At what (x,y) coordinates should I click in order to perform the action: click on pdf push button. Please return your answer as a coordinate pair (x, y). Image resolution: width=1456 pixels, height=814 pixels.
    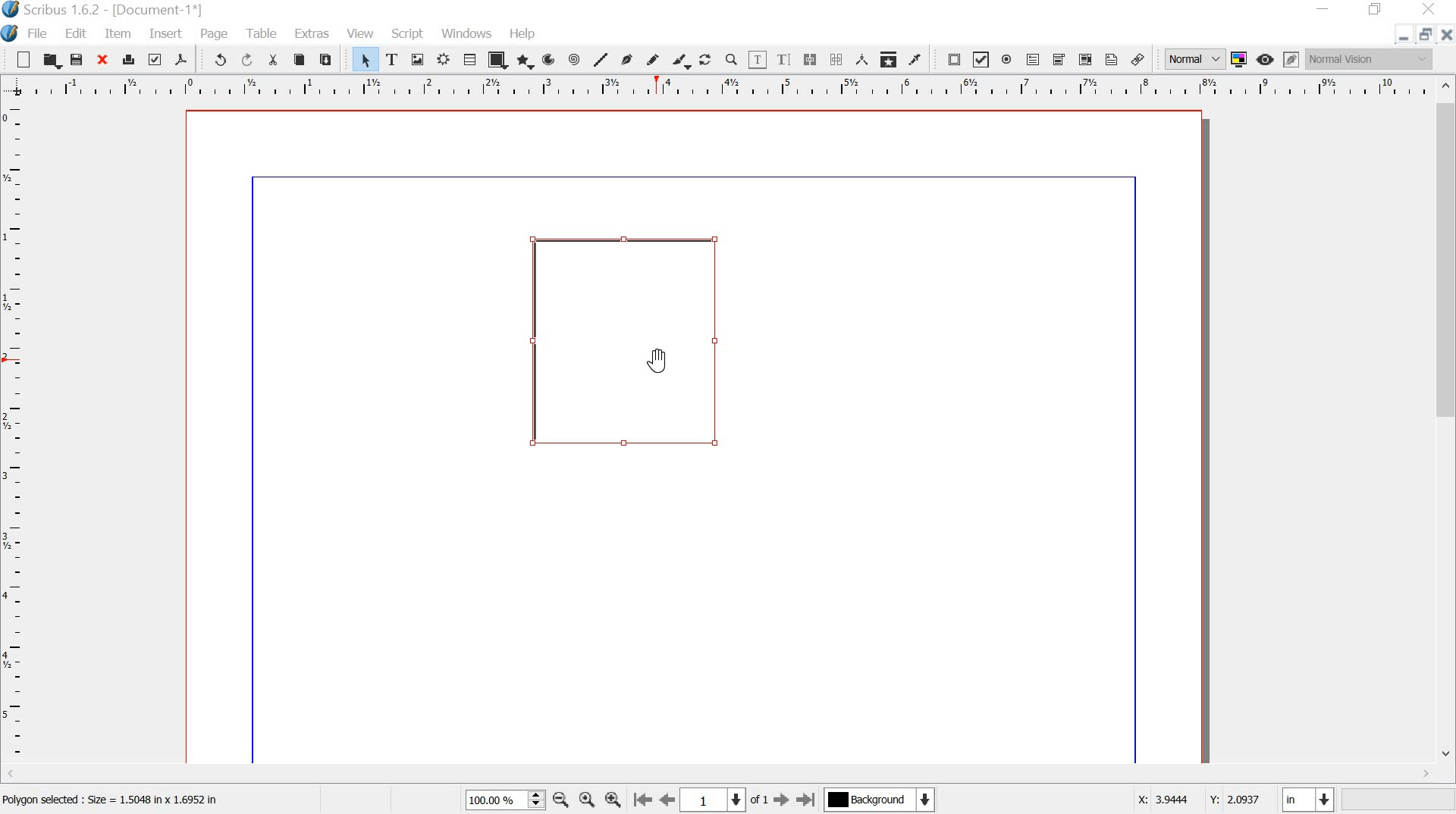
    Looking at the image, I should click on (949, 61).